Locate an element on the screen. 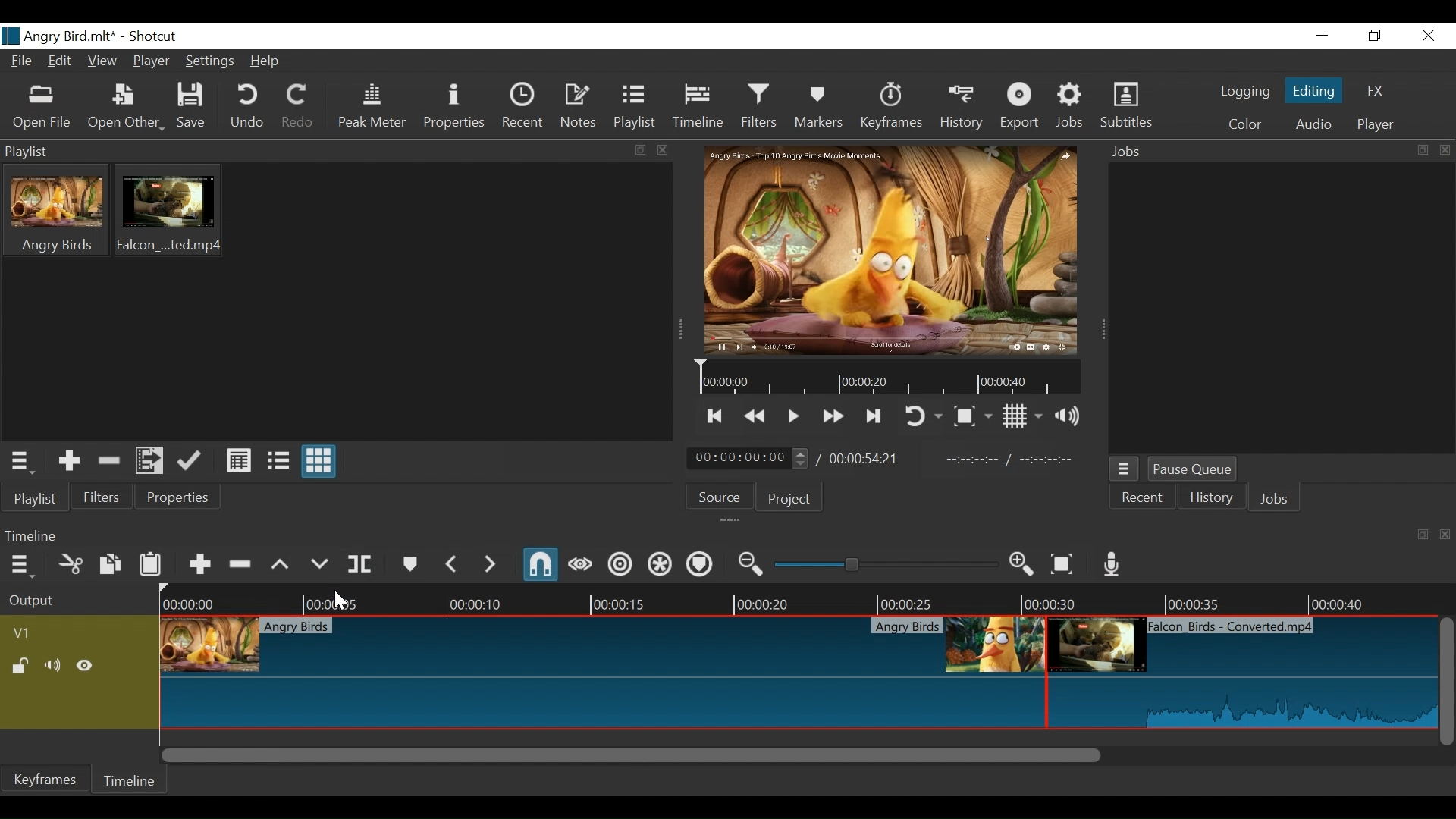 This screenshot has height=819, width=1456. Zoom timeline in is located at coordinates (1022, 565).